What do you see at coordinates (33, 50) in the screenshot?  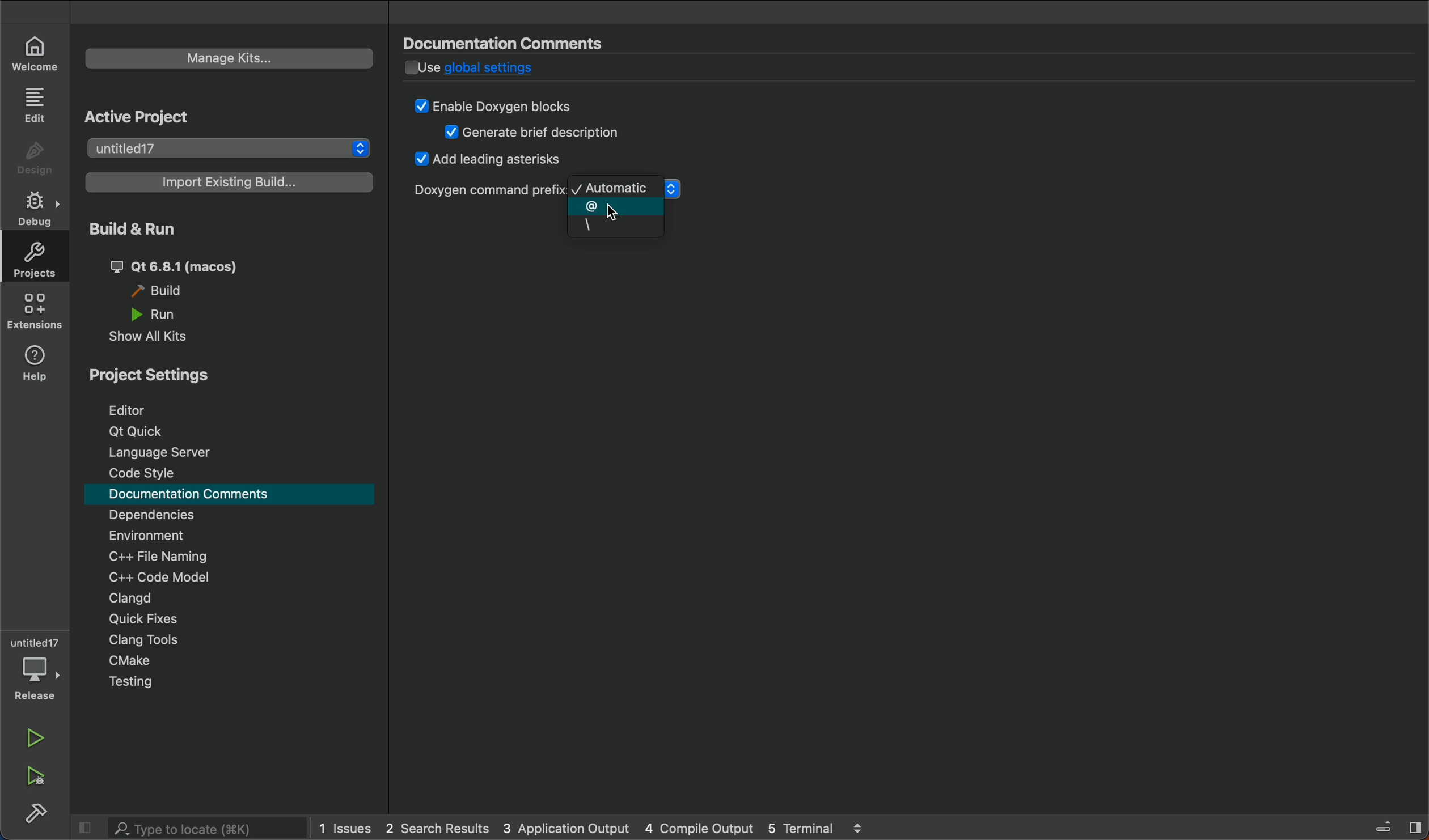 I see `welcome` at bounding box center [33, 50].